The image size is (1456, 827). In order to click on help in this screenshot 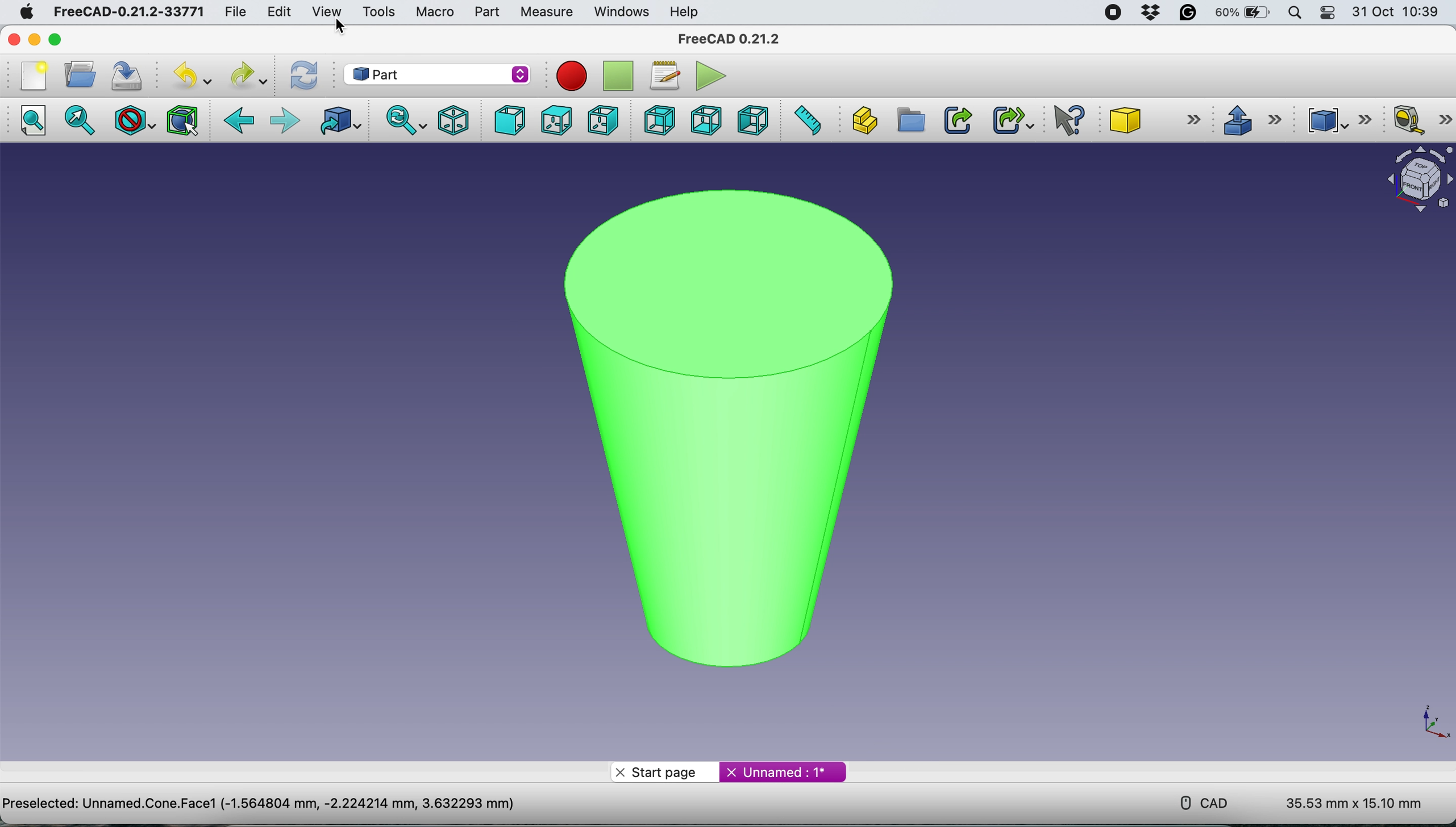, I will do `click(685, 11)`.